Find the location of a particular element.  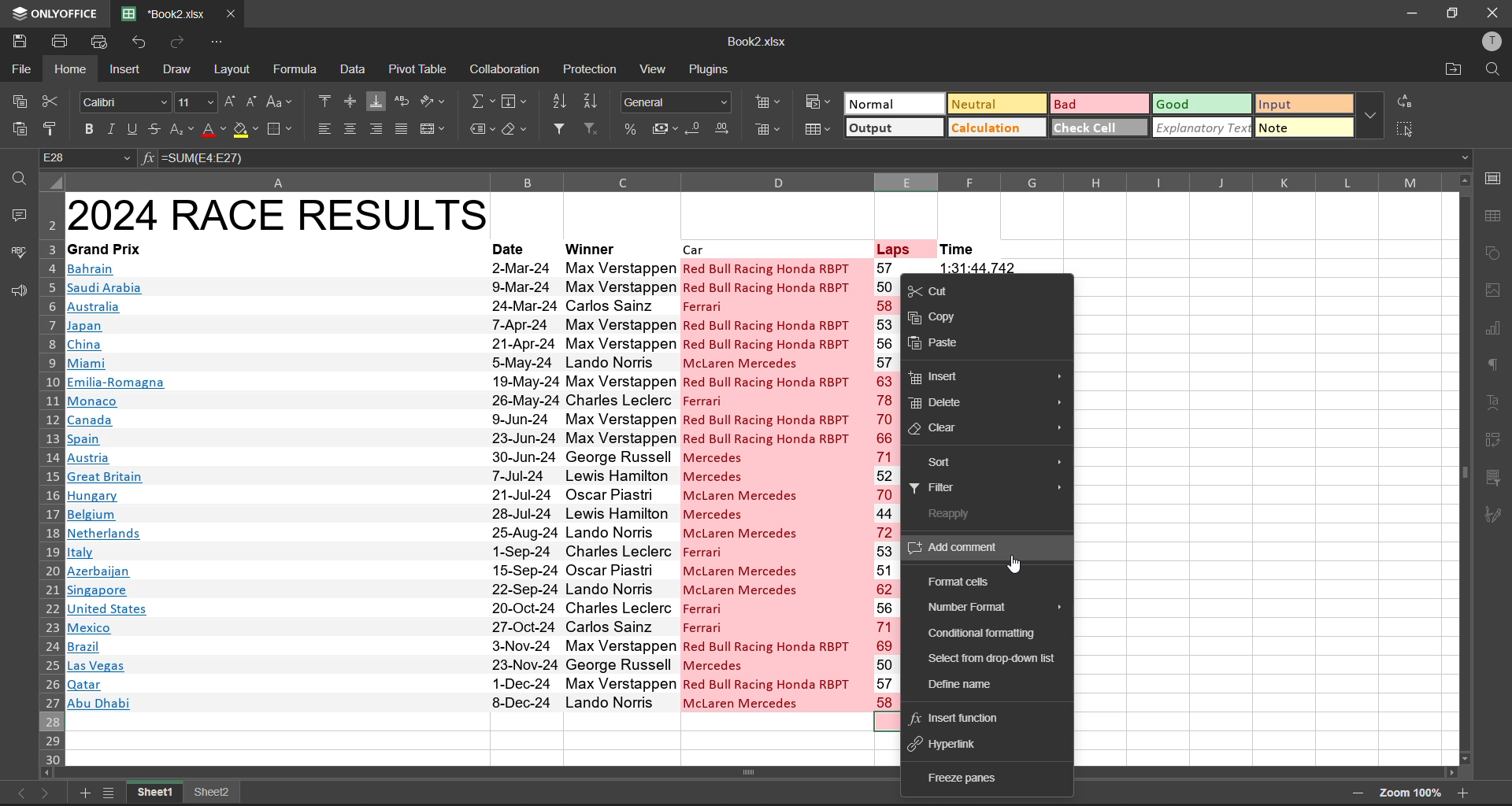

number format is located at coordinates (675, 104).